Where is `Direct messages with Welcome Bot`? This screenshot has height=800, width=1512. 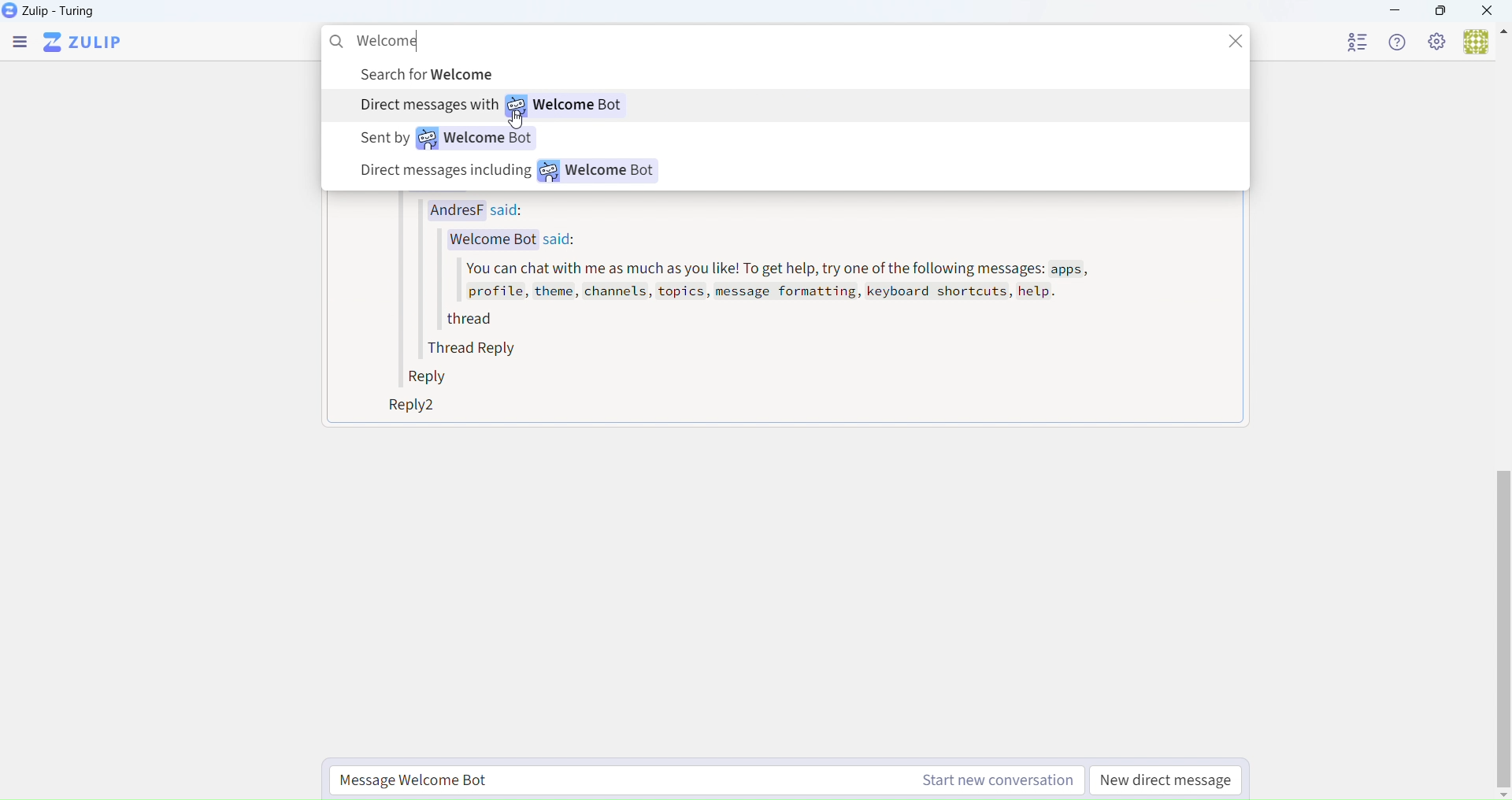
Direct messages with Welcome Bot is located at coordinates (492, 107).